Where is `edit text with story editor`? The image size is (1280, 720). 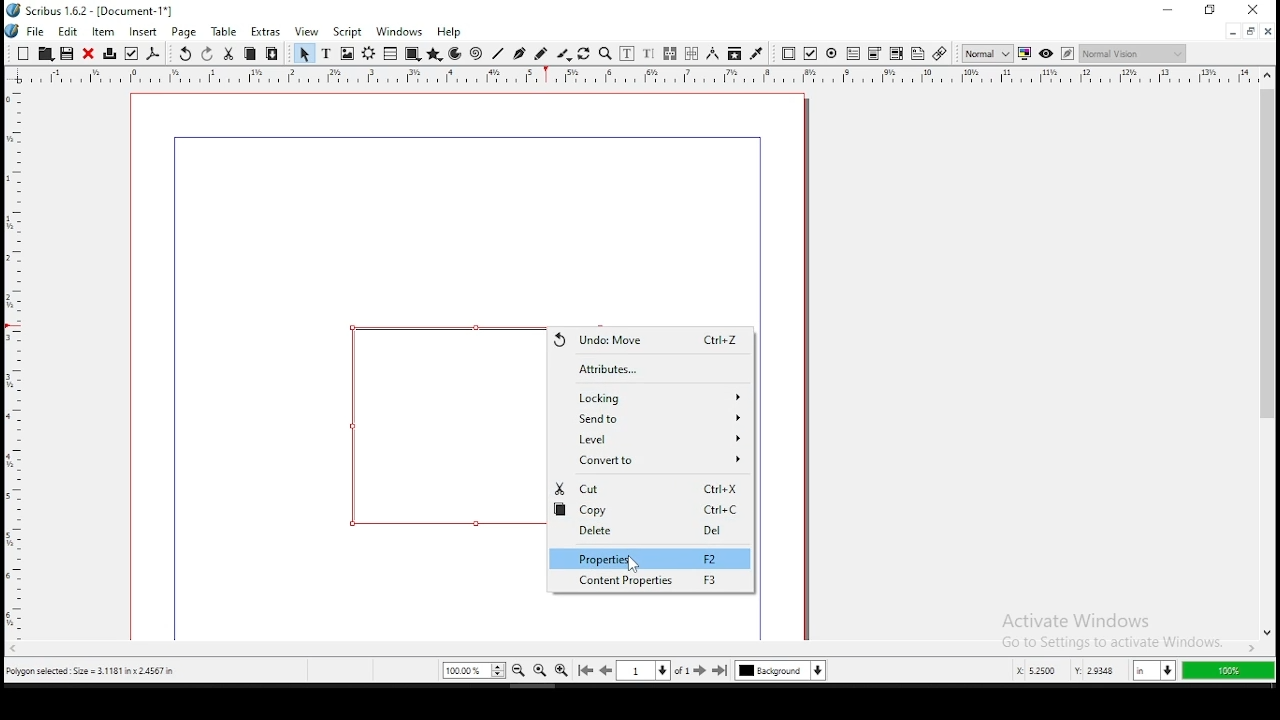
edit text with story editor is located at coordinates (648, 54).